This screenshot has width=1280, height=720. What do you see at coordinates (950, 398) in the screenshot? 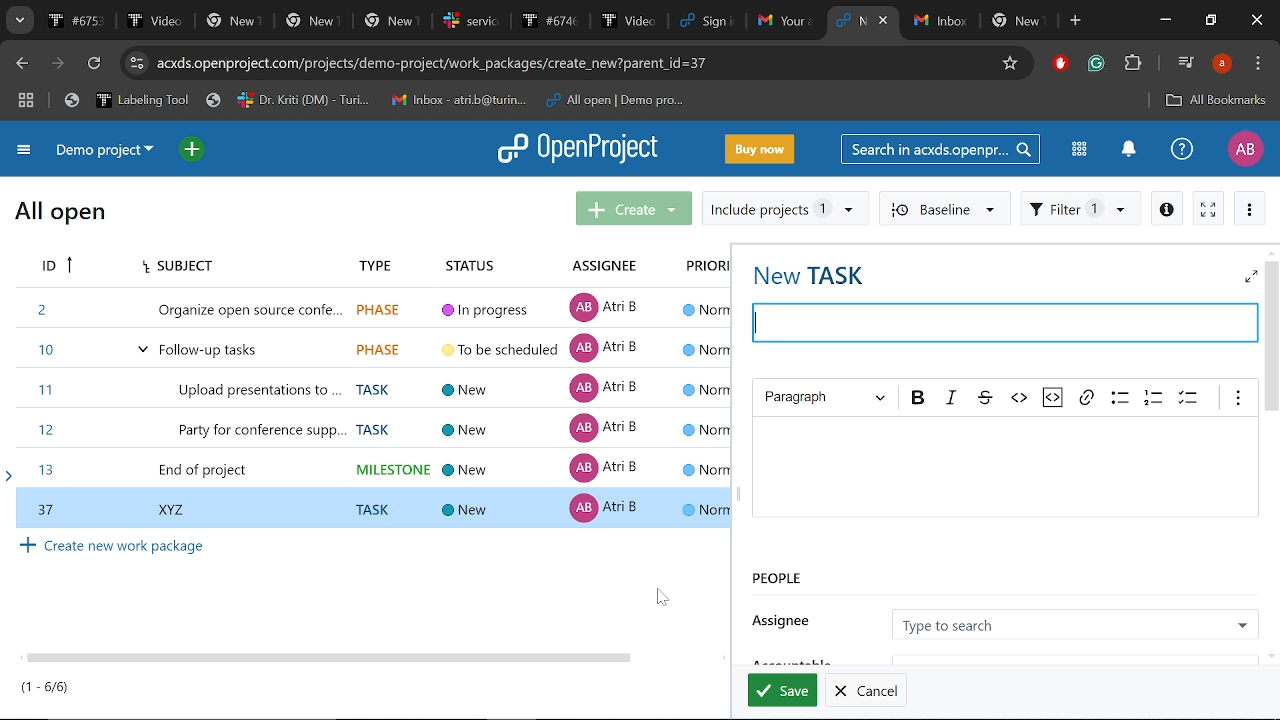
I see `Italic` at bounding box center [950, 398].